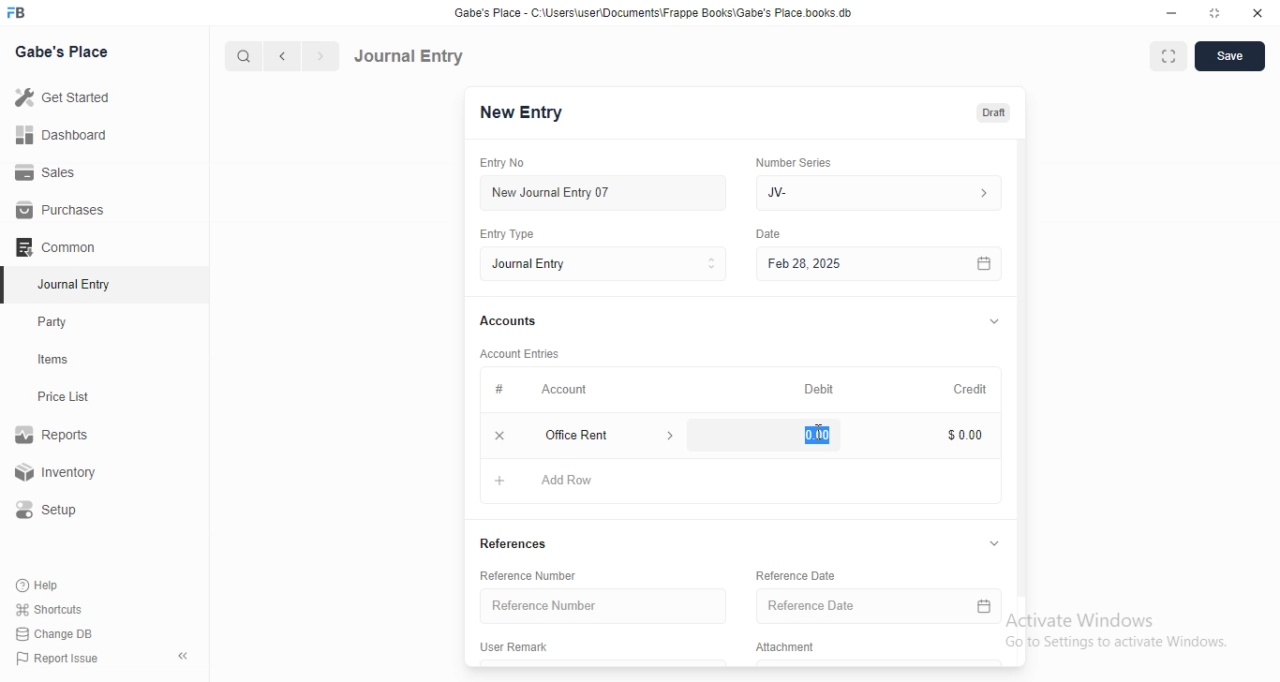 This screenshot has height=682, width=1280. Describe the element at coordinates (880, 265) in the screenshot. I see `Feb 28, 2025` at that location.